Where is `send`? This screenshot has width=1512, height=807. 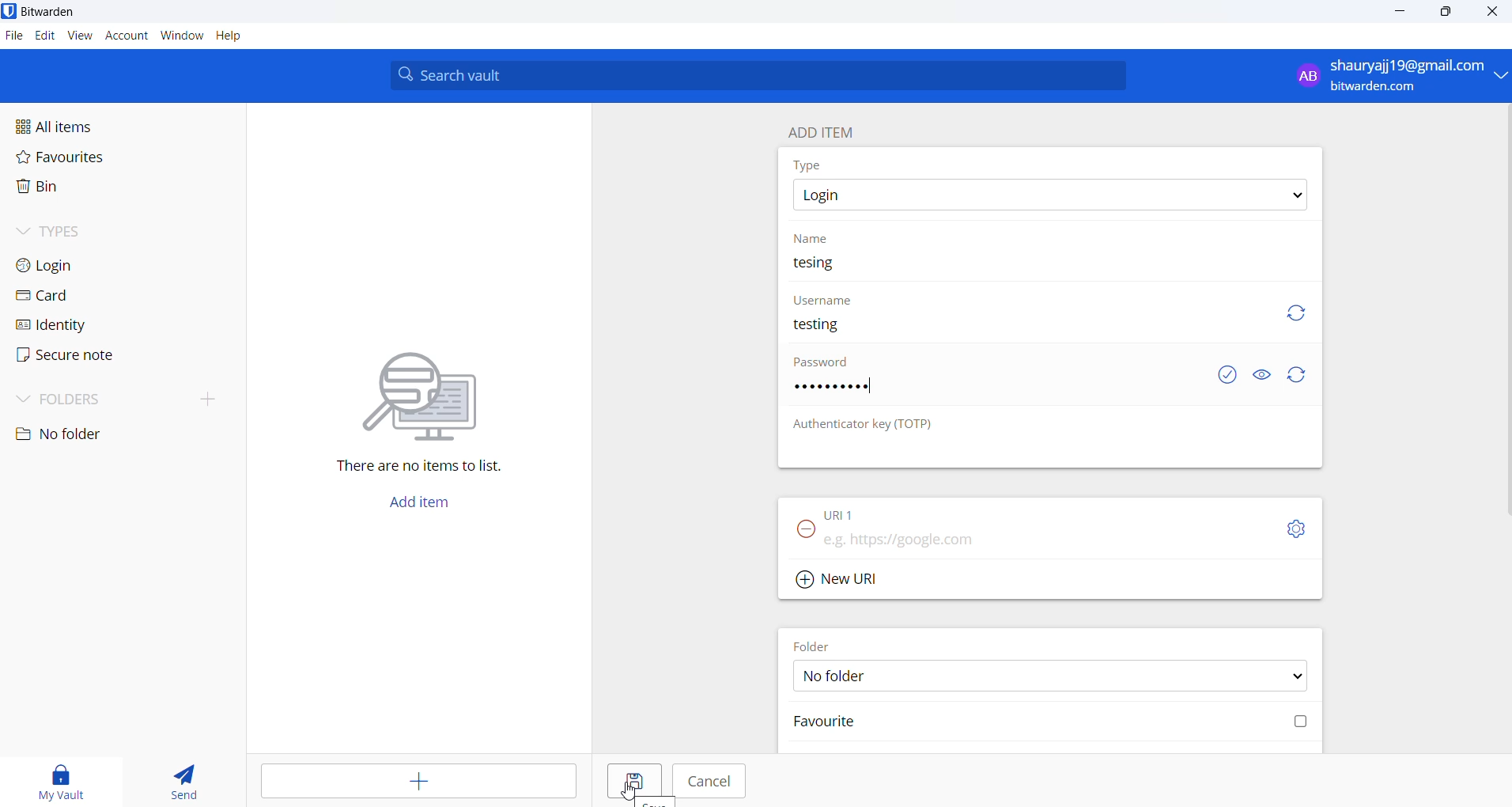 send is located at coordinates (185, 783).